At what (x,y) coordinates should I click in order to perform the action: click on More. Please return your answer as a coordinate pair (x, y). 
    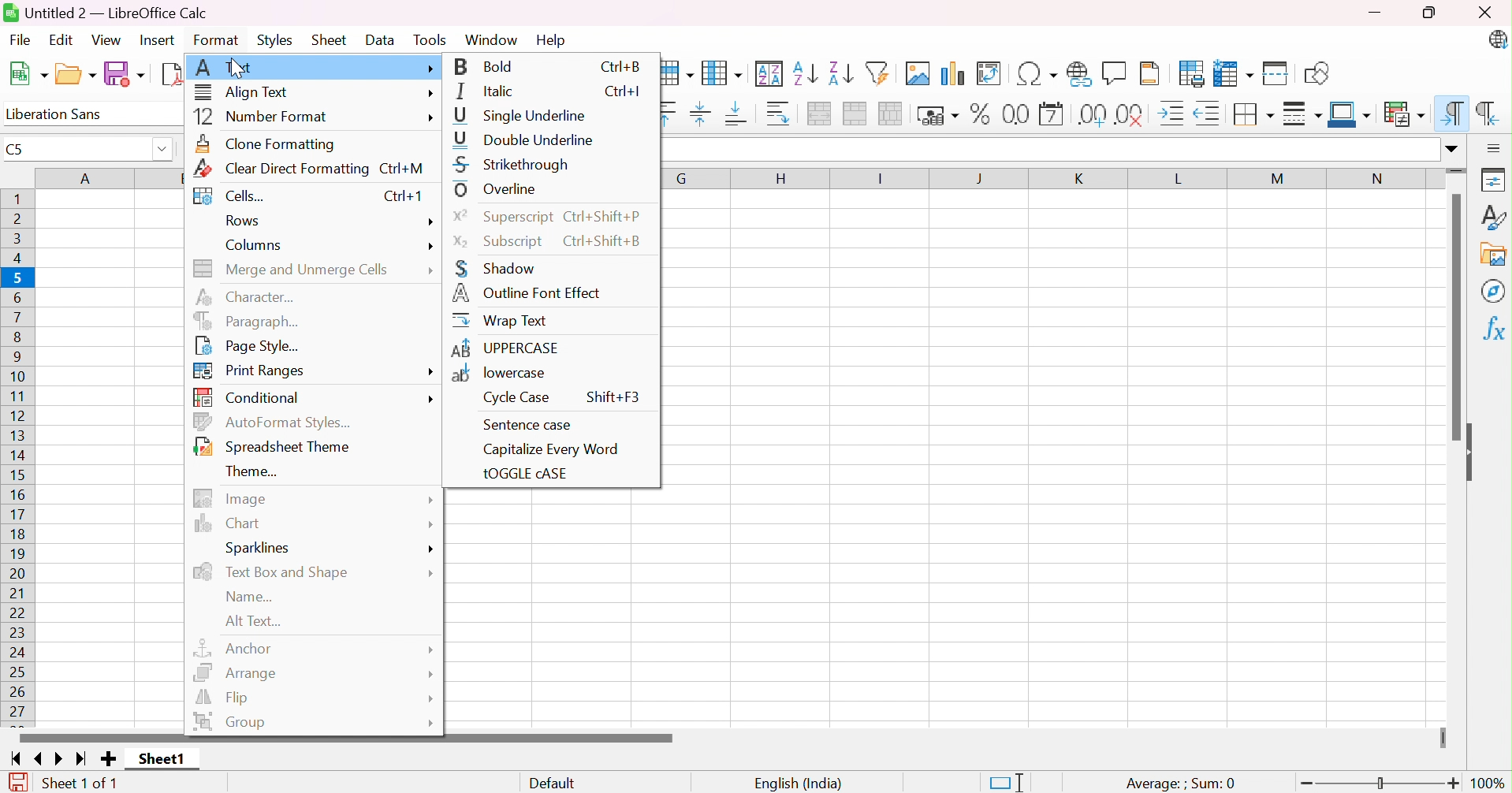
    Looking at the image, I should click on (430, 574).